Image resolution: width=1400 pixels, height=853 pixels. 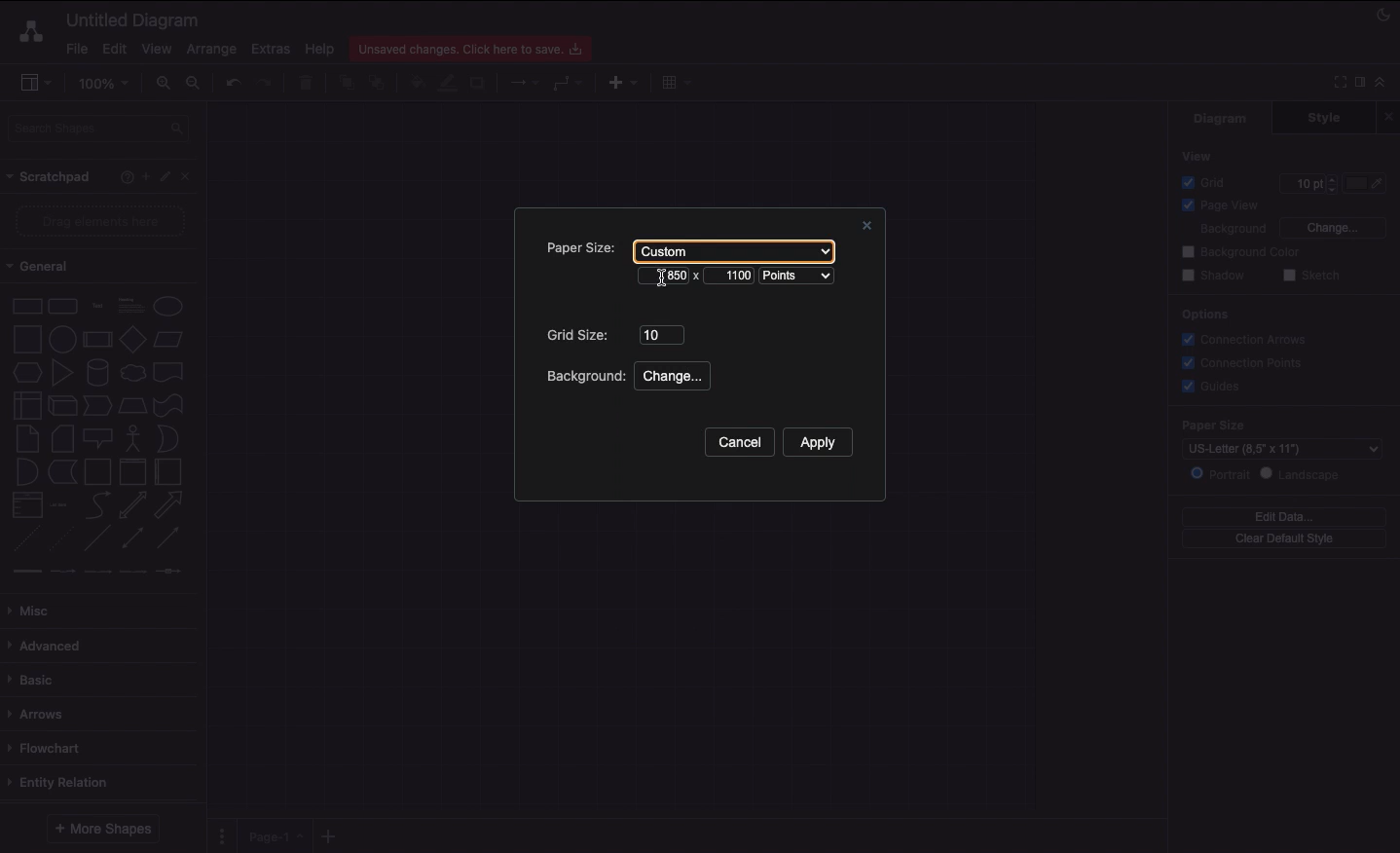 What do you see at coordinates (579, 333) in the screenshot?
I see `Grid size ` at bounding box center [579, 333].